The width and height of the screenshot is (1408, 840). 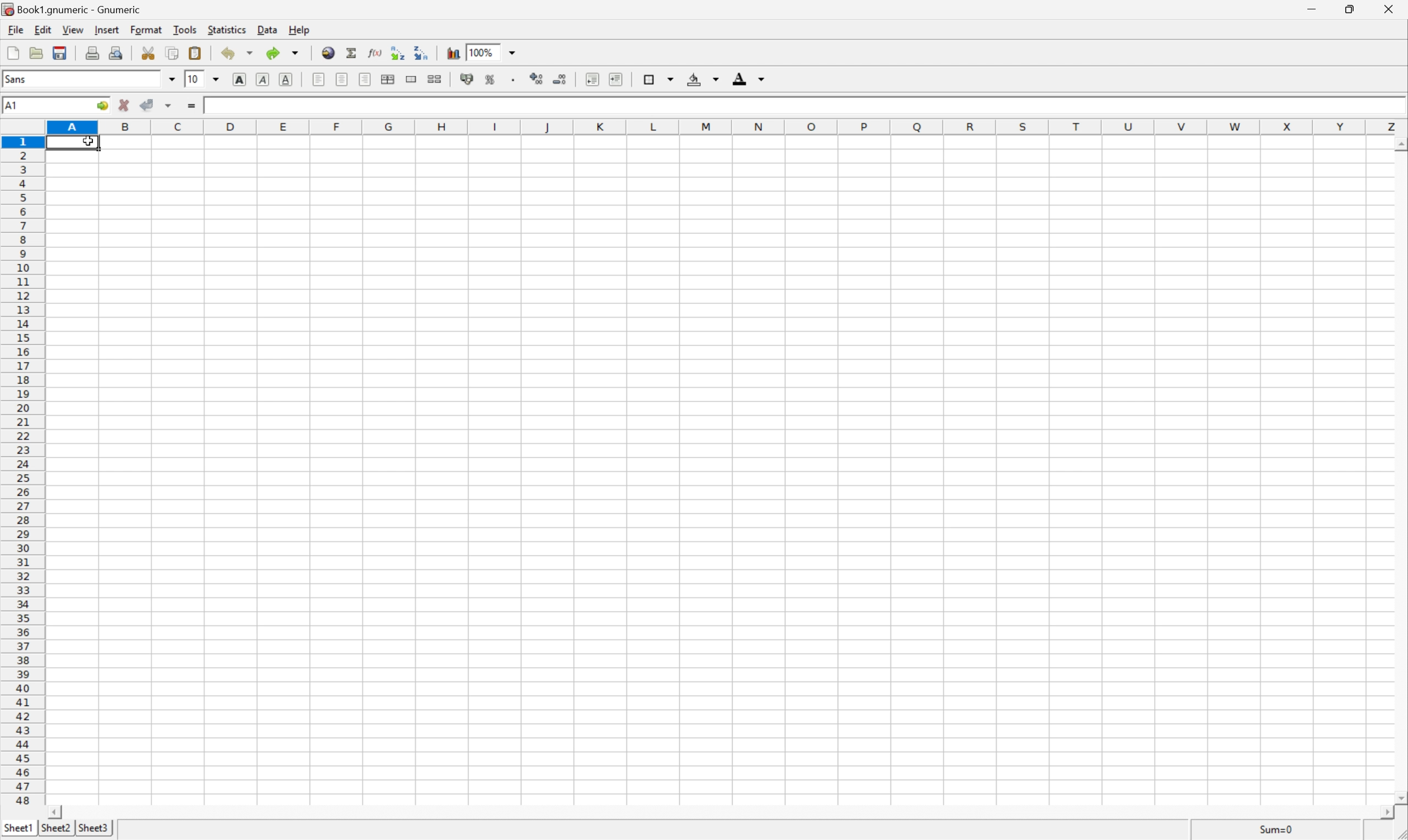 I want to click on center horizontally, so click(x=343, y=80).